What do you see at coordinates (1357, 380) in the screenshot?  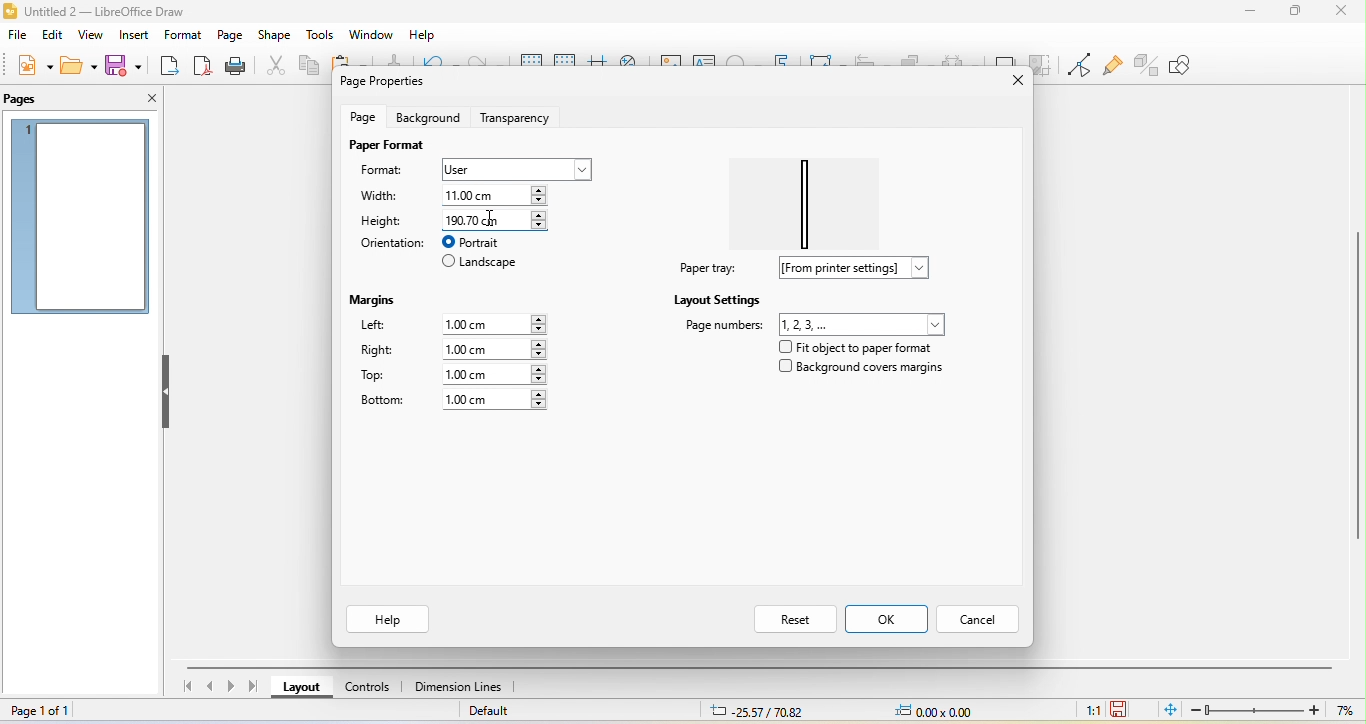 I see `vertical scroll bar` at bounding box center [1357, 380].